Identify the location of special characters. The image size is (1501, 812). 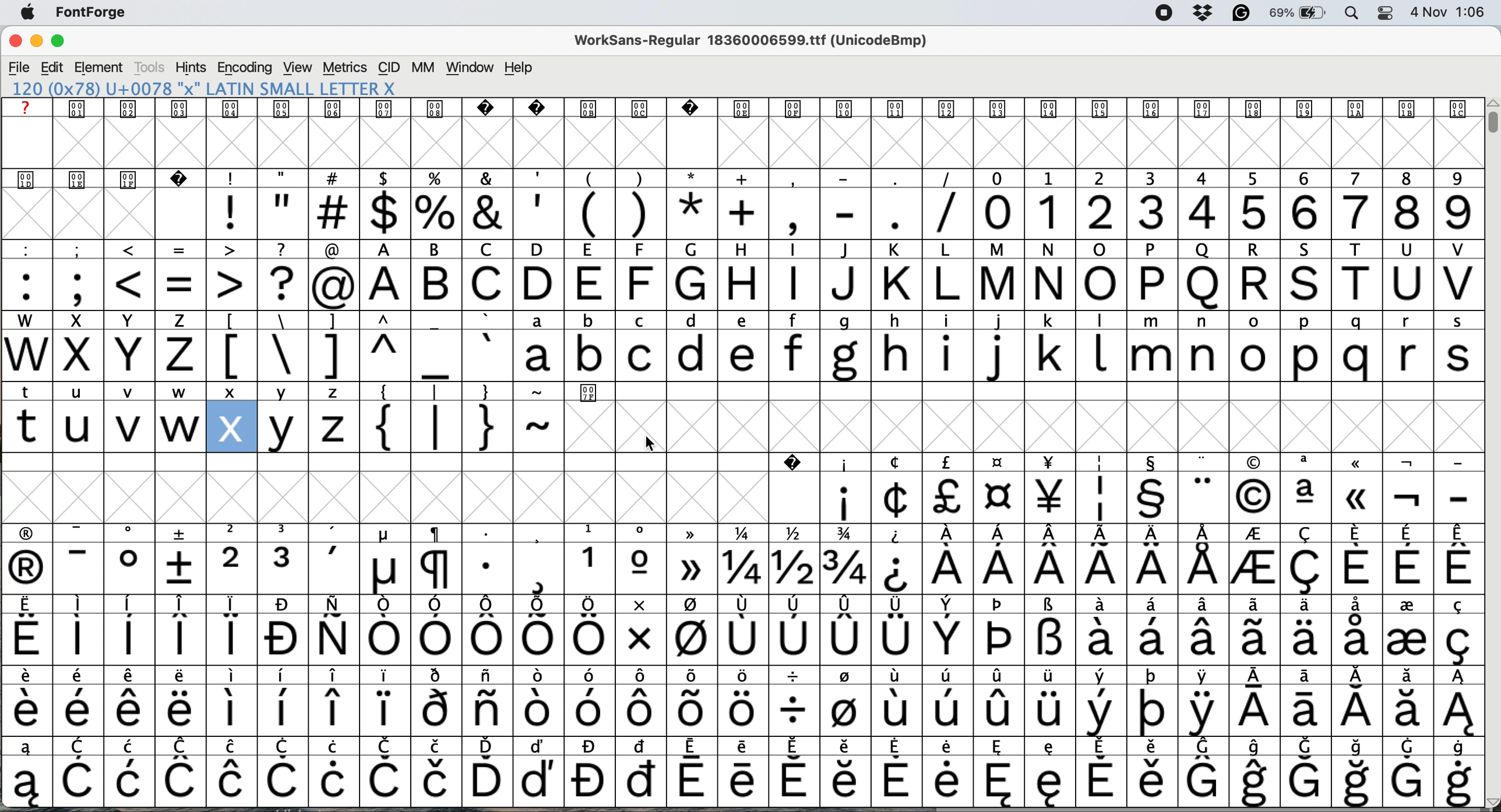
(737, 710).